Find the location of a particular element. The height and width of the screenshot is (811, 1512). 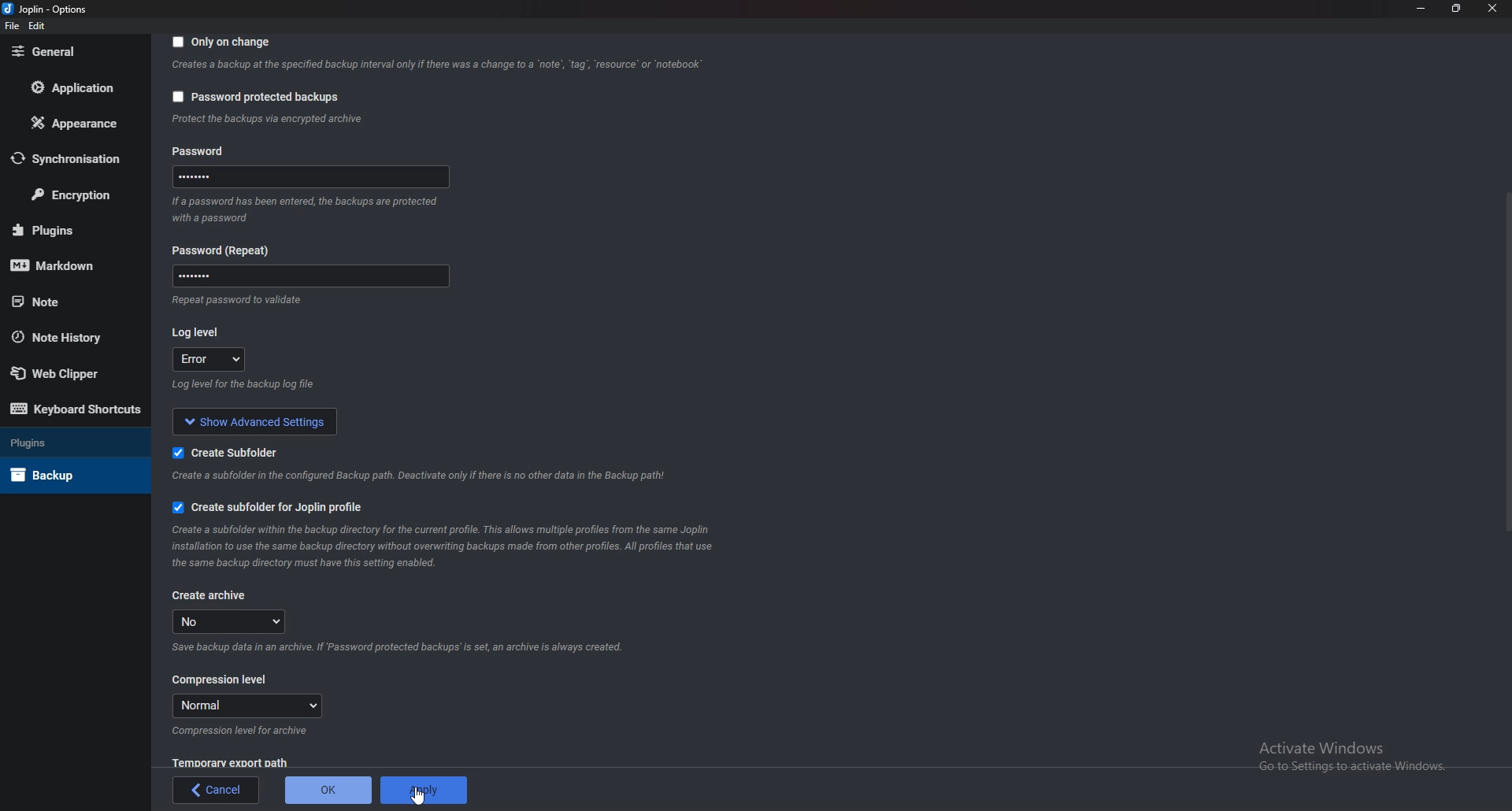

Password is located at coordinates (308, 275).